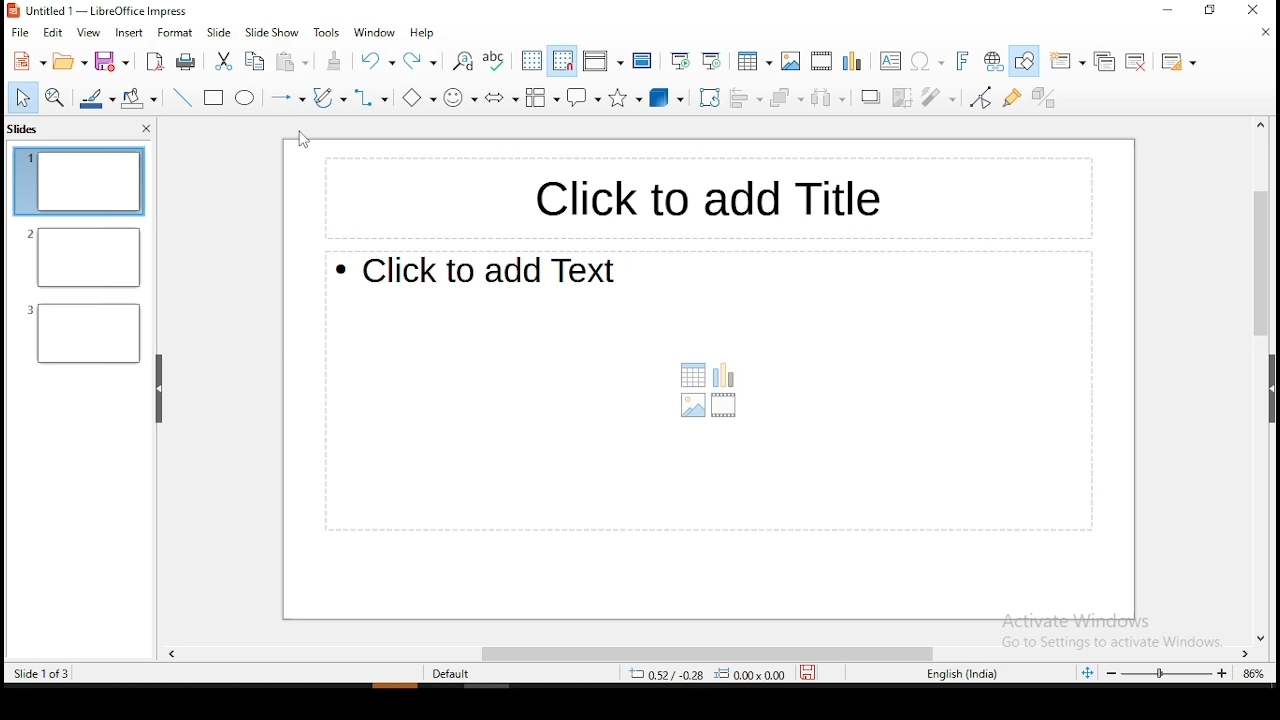  I want to click on format, so click(174, 35).